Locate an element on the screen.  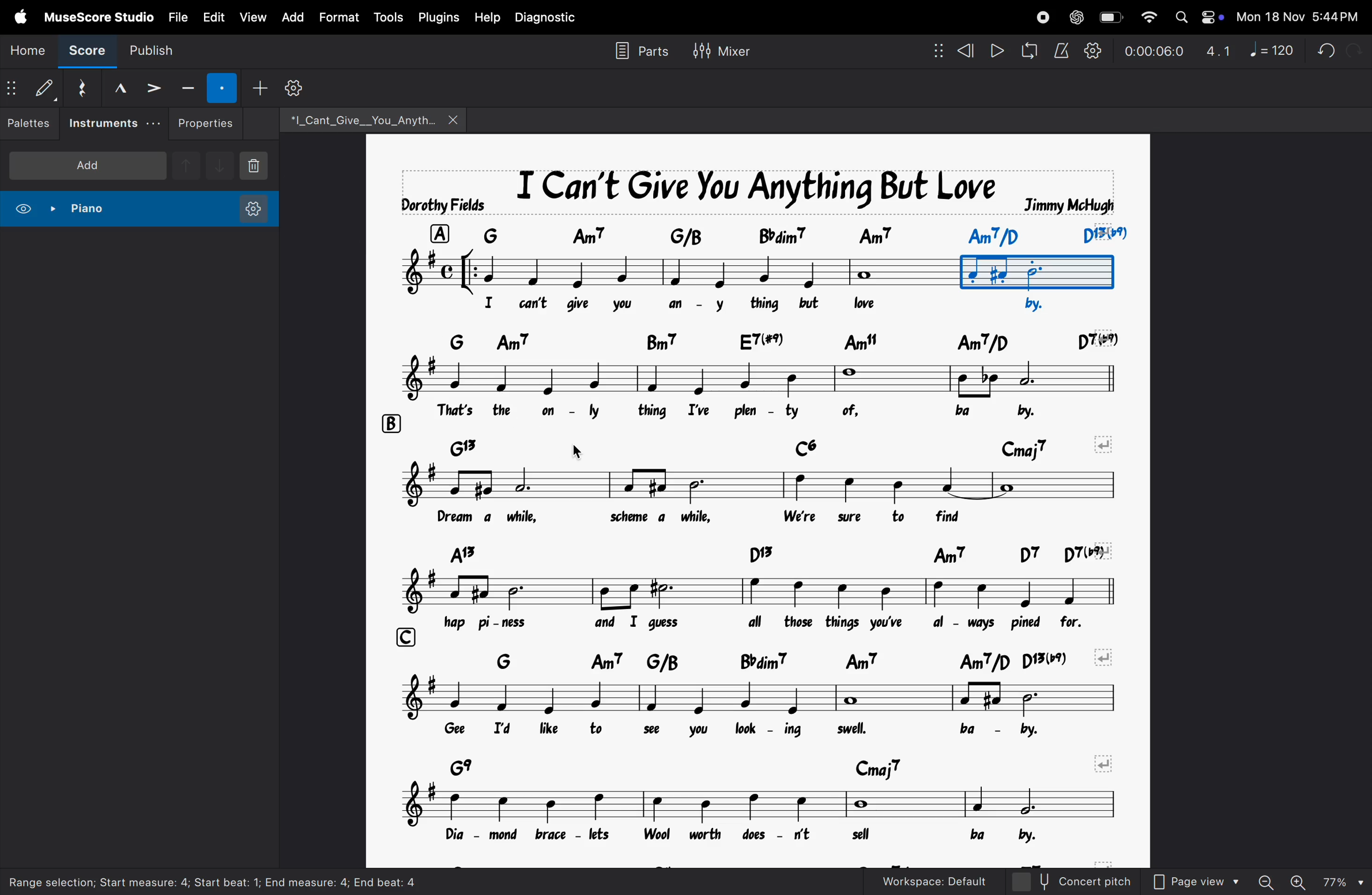
apple widgets is located at coordinates (1196, 17).